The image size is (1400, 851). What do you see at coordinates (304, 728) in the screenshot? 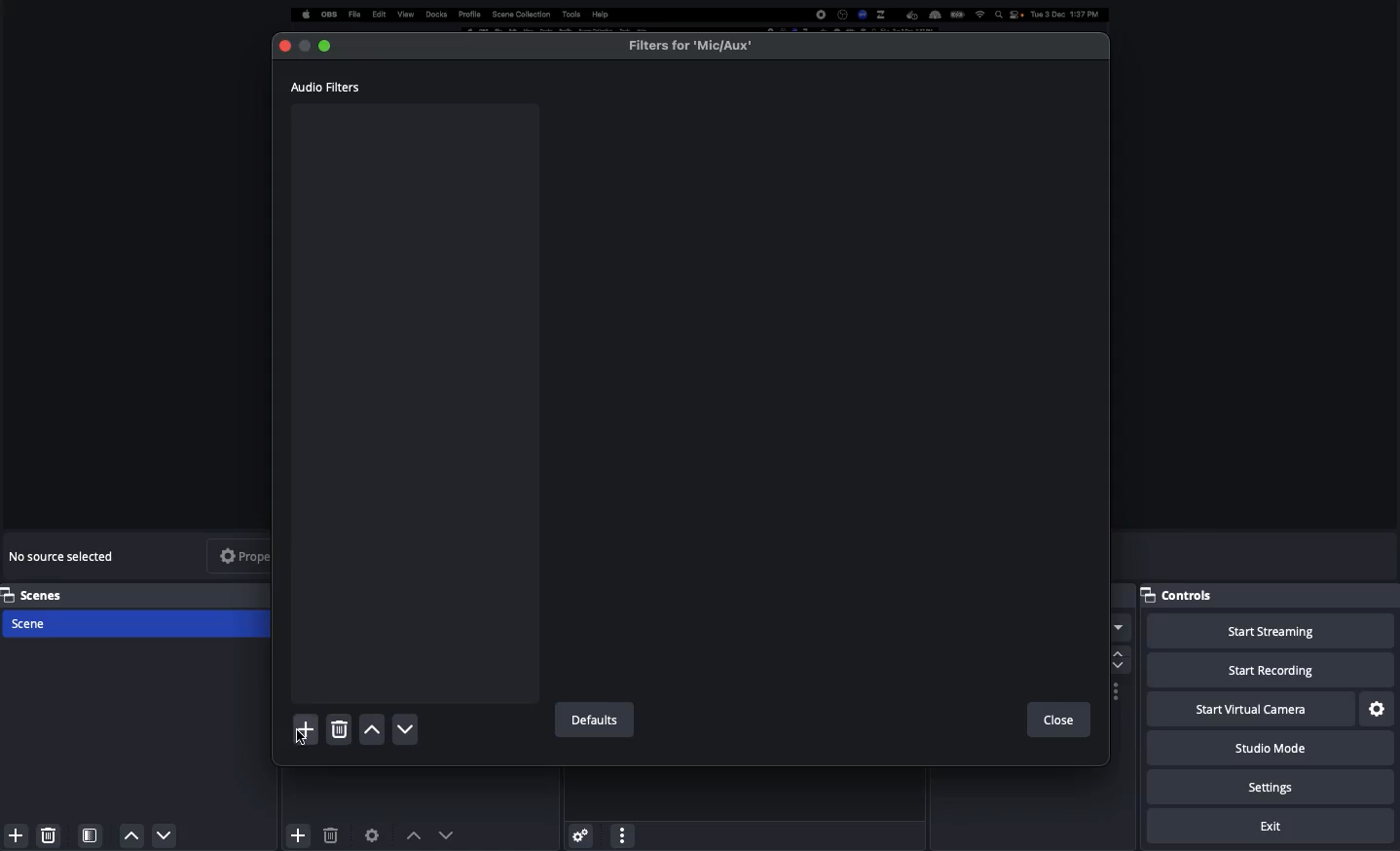
I see `Add` at bounding box center [304, 728].